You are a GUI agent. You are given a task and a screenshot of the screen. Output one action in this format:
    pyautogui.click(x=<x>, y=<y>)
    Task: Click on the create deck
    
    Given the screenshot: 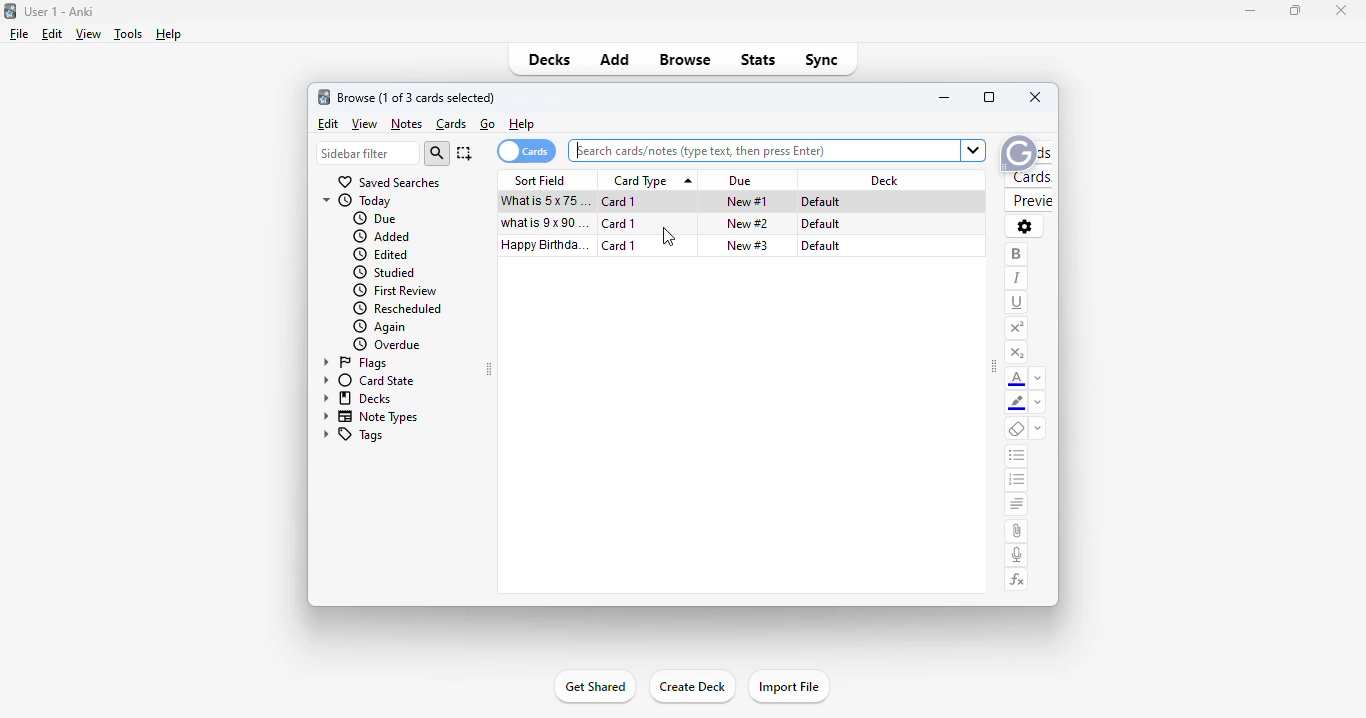 What is the action you would take?
    pyautogui.click(x=690, y=685)
    